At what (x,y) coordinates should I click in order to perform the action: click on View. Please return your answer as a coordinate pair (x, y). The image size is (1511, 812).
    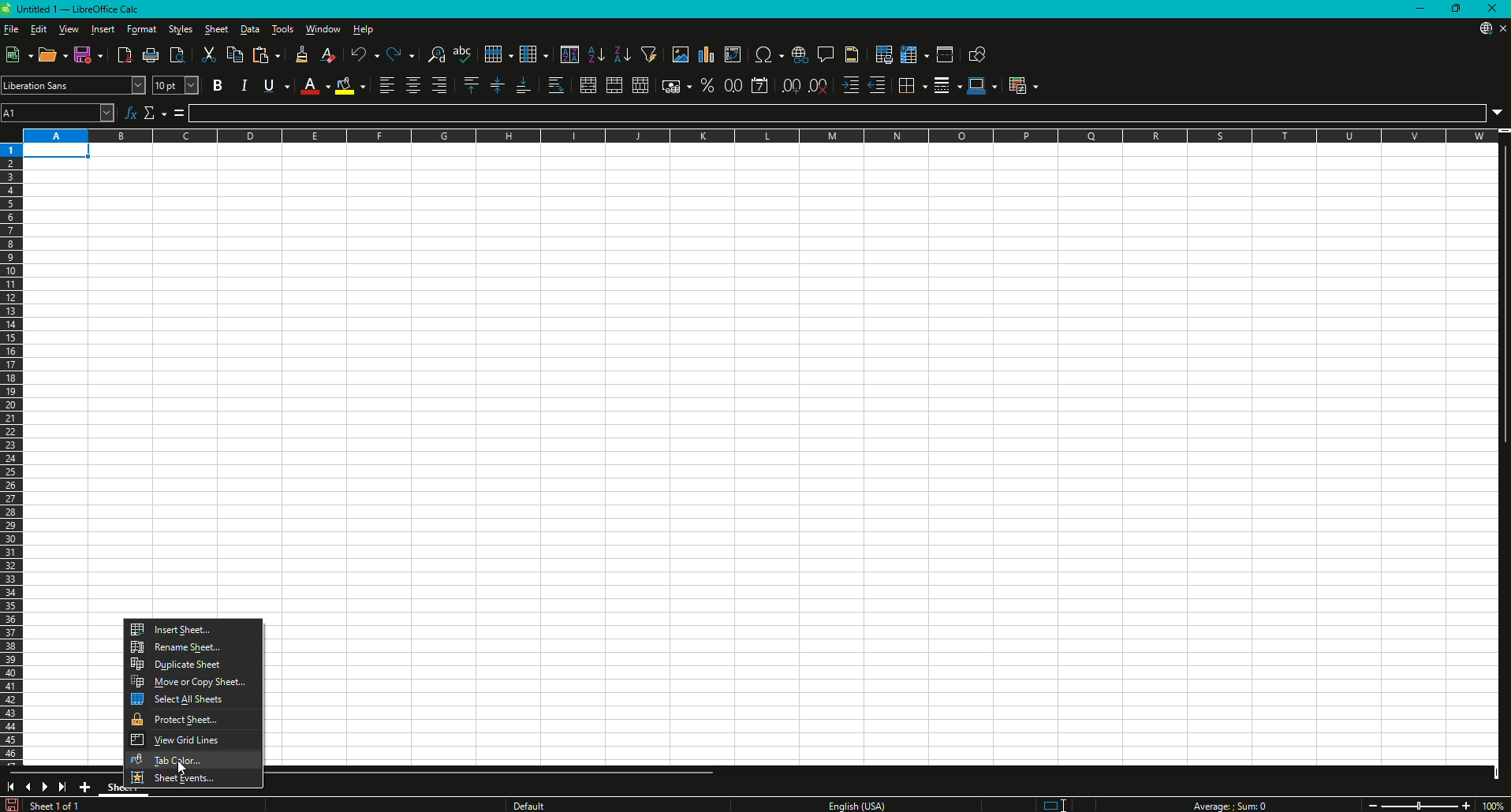
    Looking at the image, I should click on (69, 28).